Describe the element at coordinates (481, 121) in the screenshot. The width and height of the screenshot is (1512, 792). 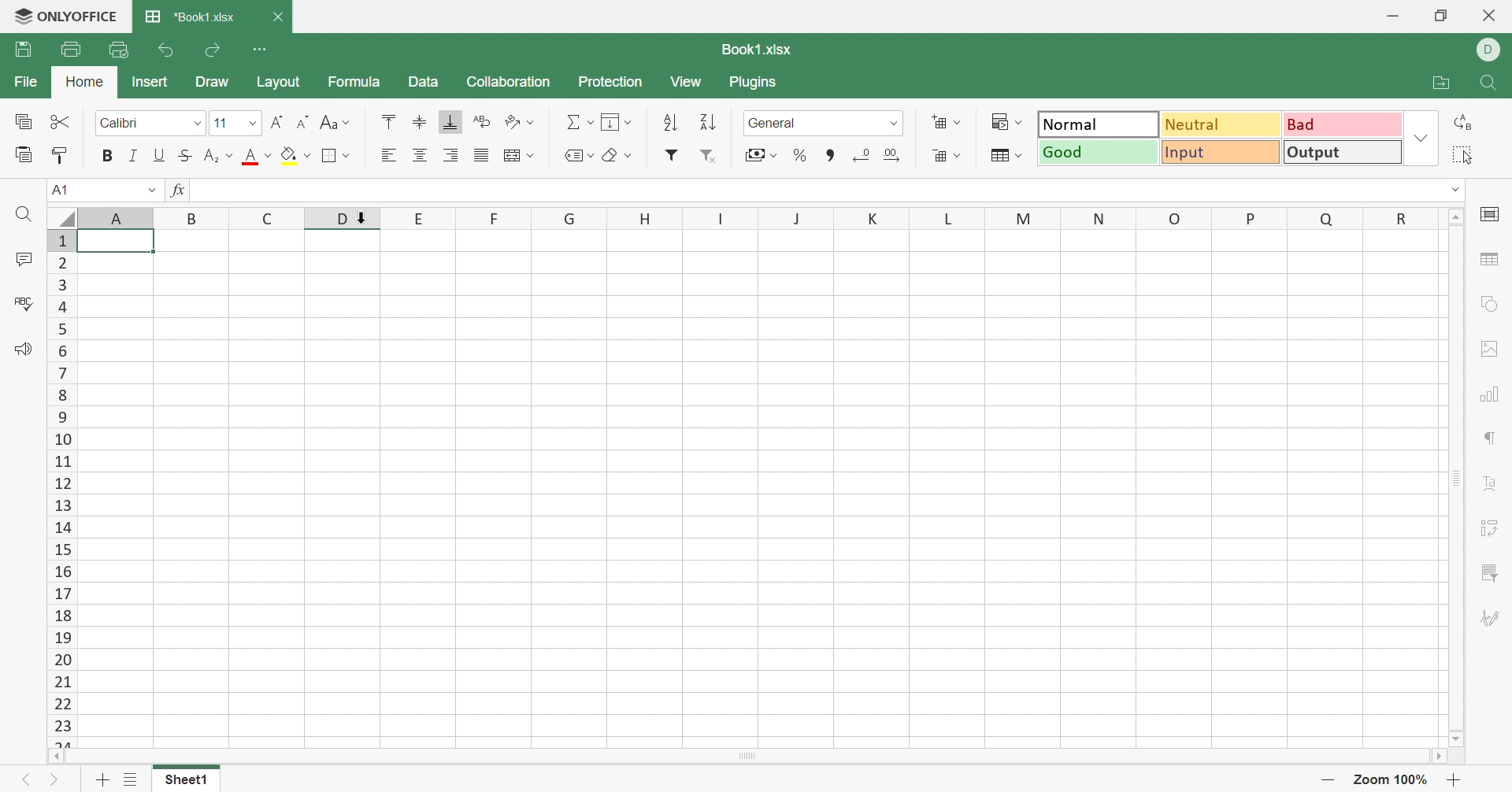
I see `Wrap Text` at that location.